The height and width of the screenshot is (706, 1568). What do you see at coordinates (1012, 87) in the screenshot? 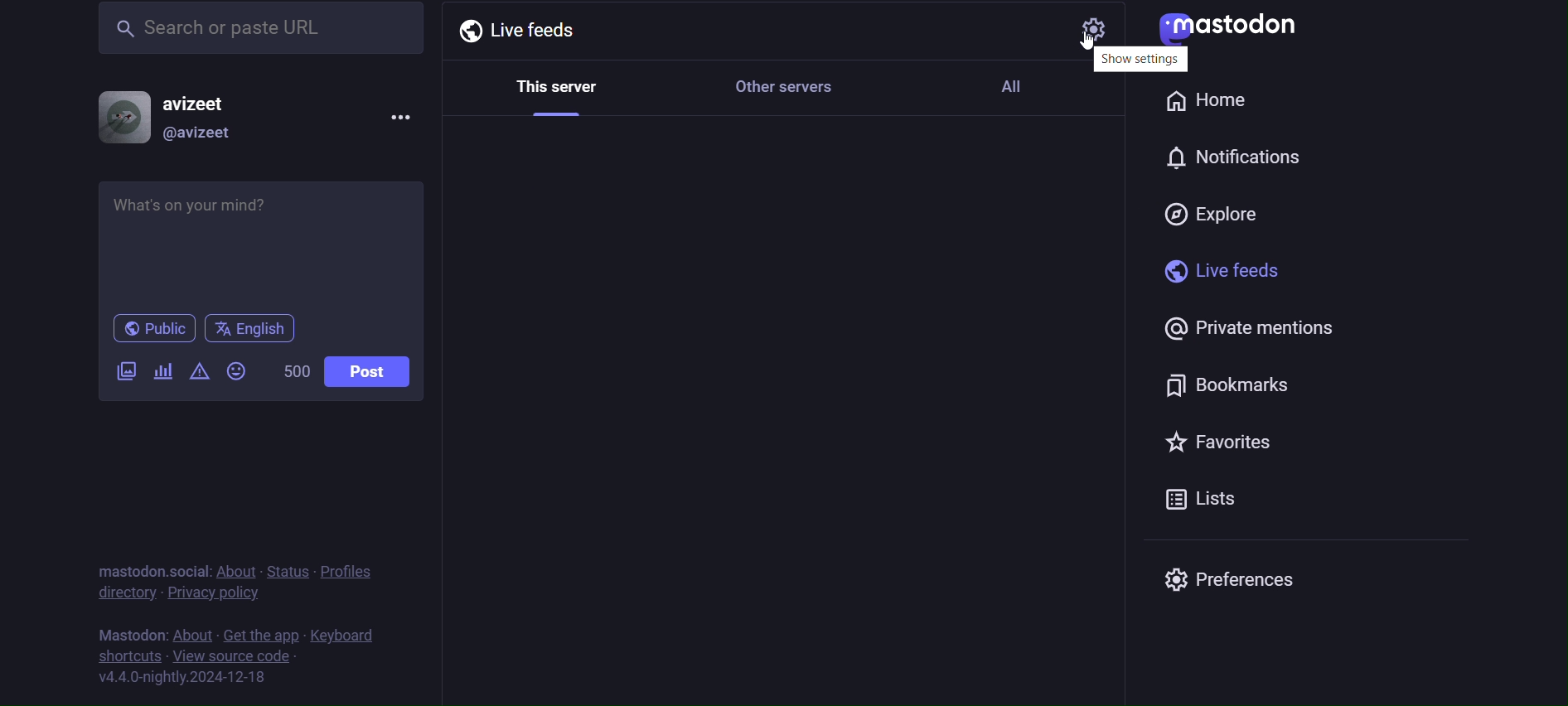
I see `All` at bounding box center [1012, 87].